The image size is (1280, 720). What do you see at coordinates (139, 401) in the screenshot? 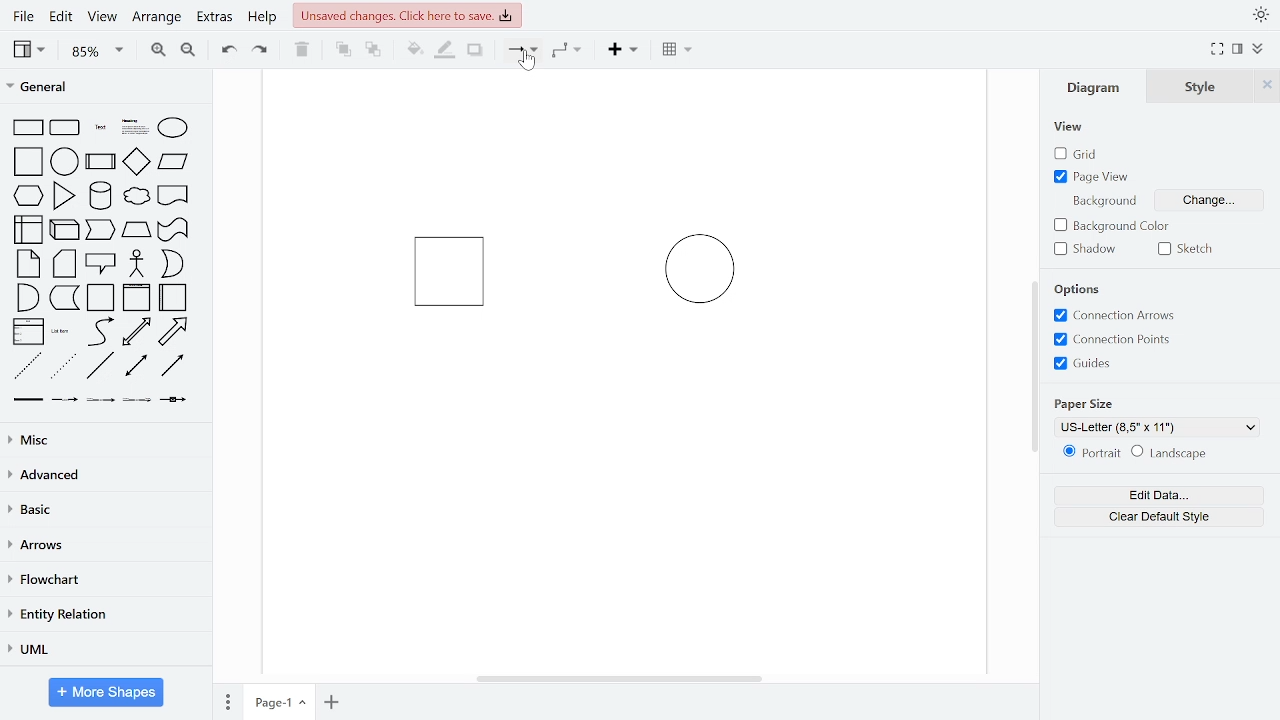
I see `connector with 3 labels` at bounding box center [139, 401].